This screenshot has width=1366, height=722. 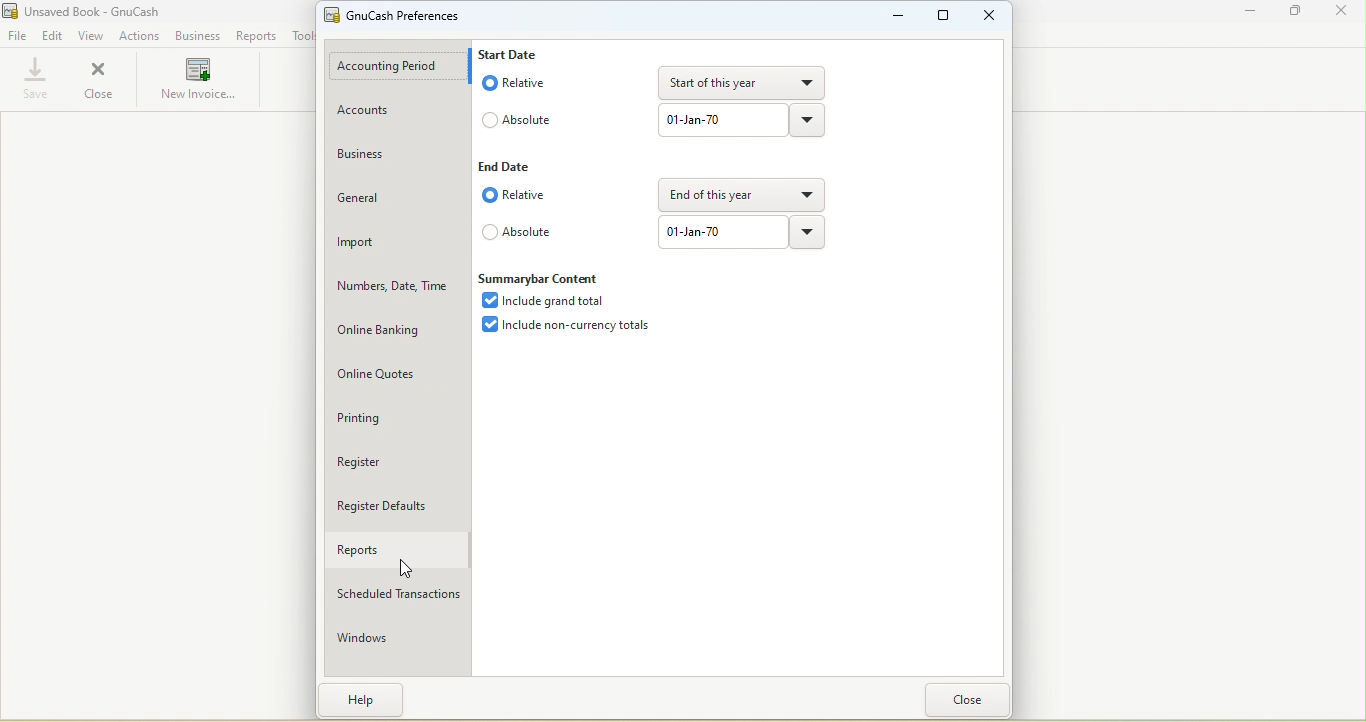 I want to click on Close, so click(x=1340, y=14).